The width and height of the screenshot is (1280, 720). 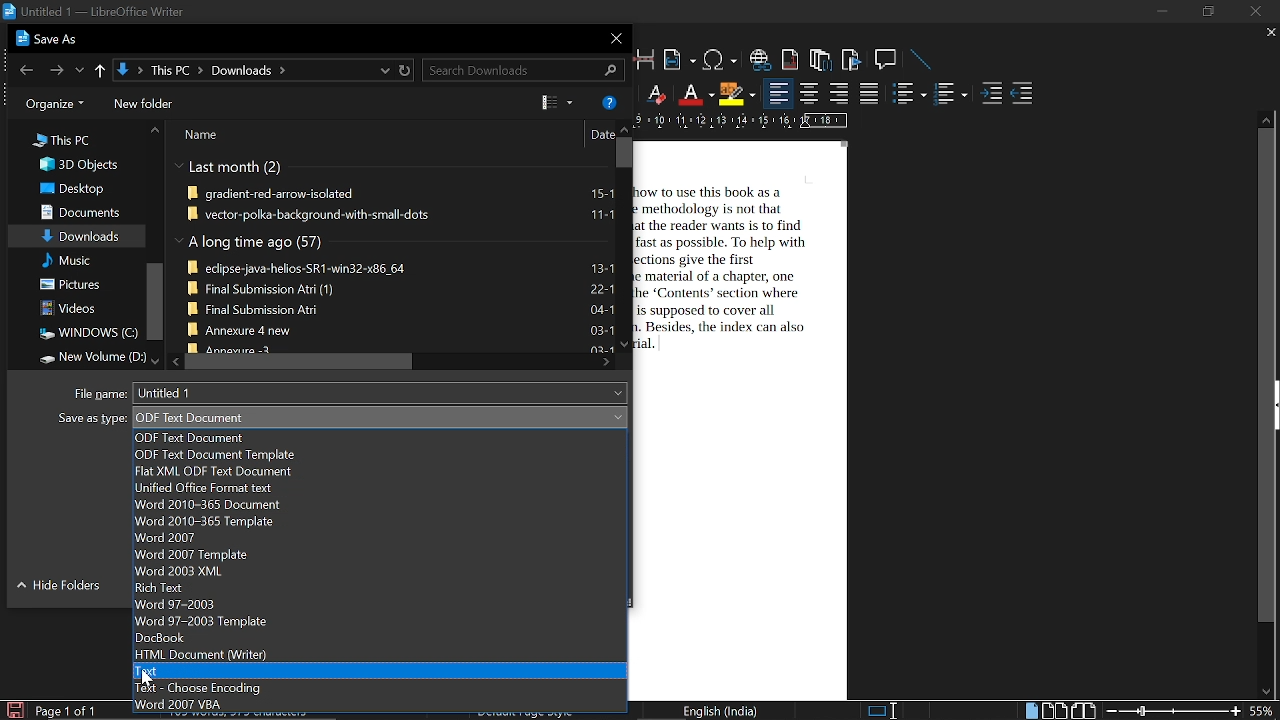 I want to click on highlight, so click(x=736, y=95).